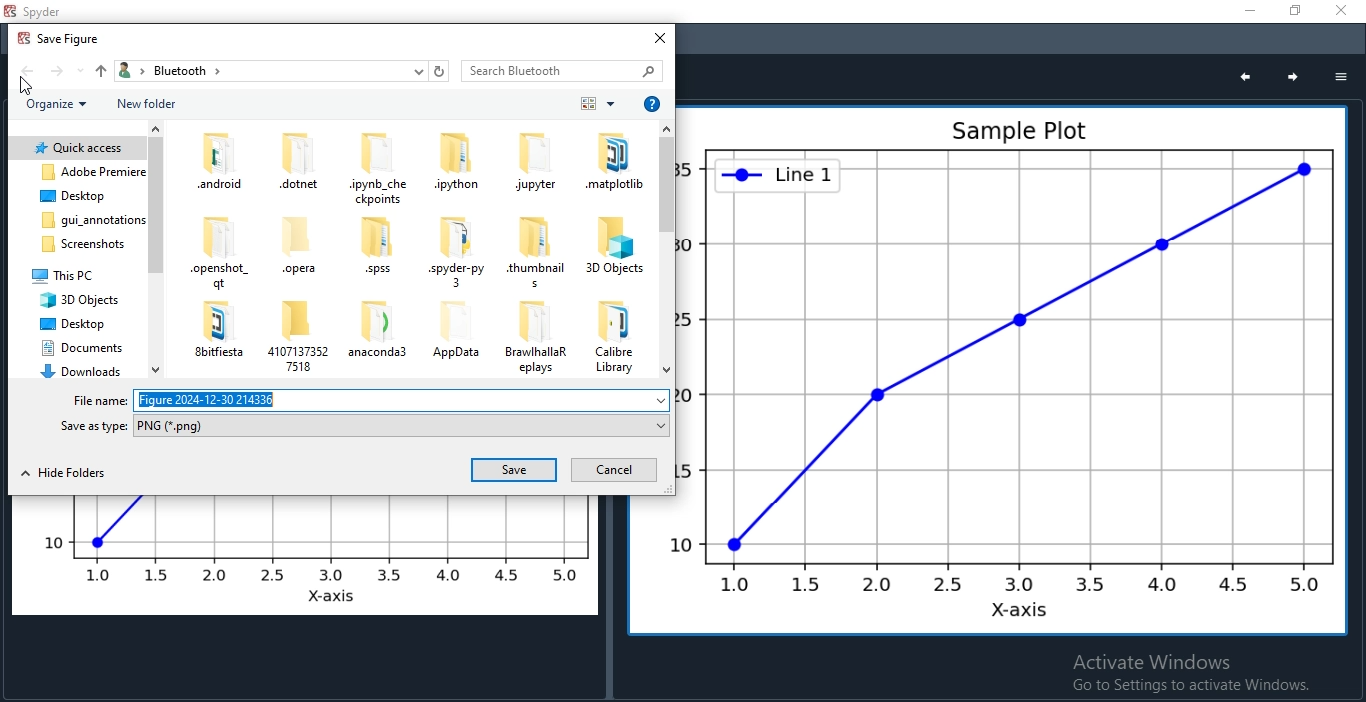  I want to click on files, so click(223, 329).